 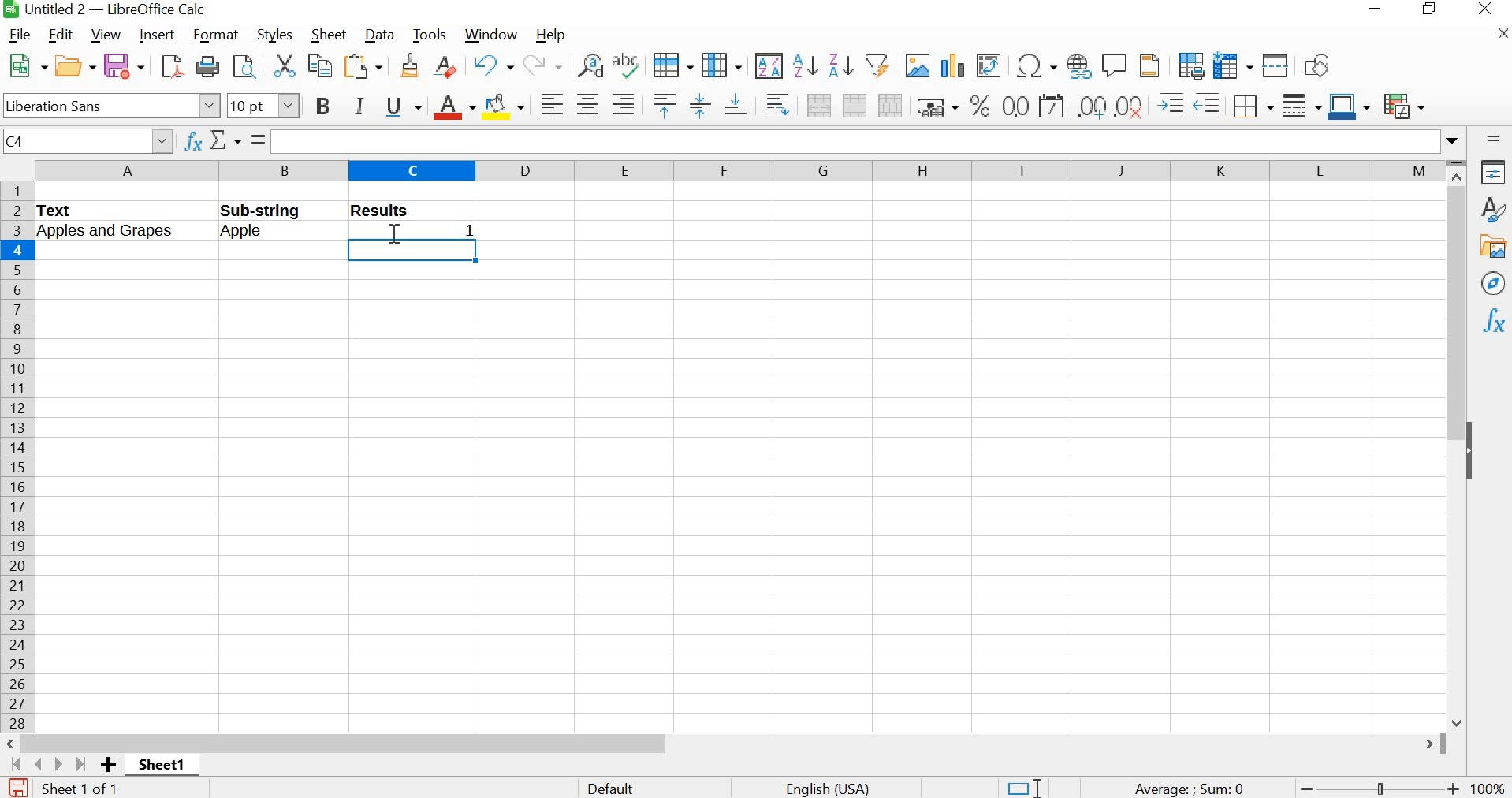 What do you see at coordinates (978, 106) in the screenshot?
I see `format as percent` at bounding box center [978, 106].